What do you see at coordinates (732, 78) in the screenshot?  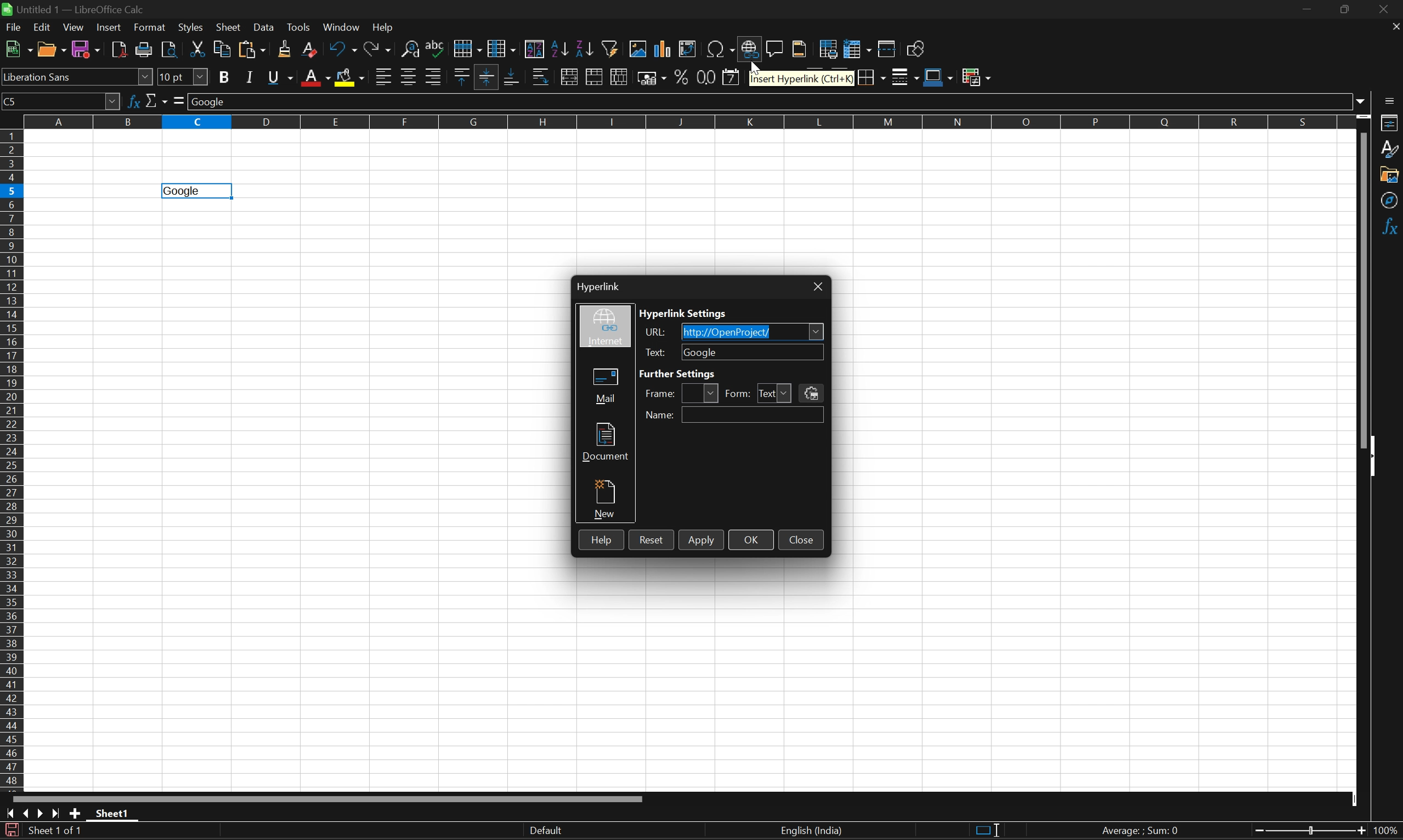 I see `Format as date` at bounding box center [732, 78].